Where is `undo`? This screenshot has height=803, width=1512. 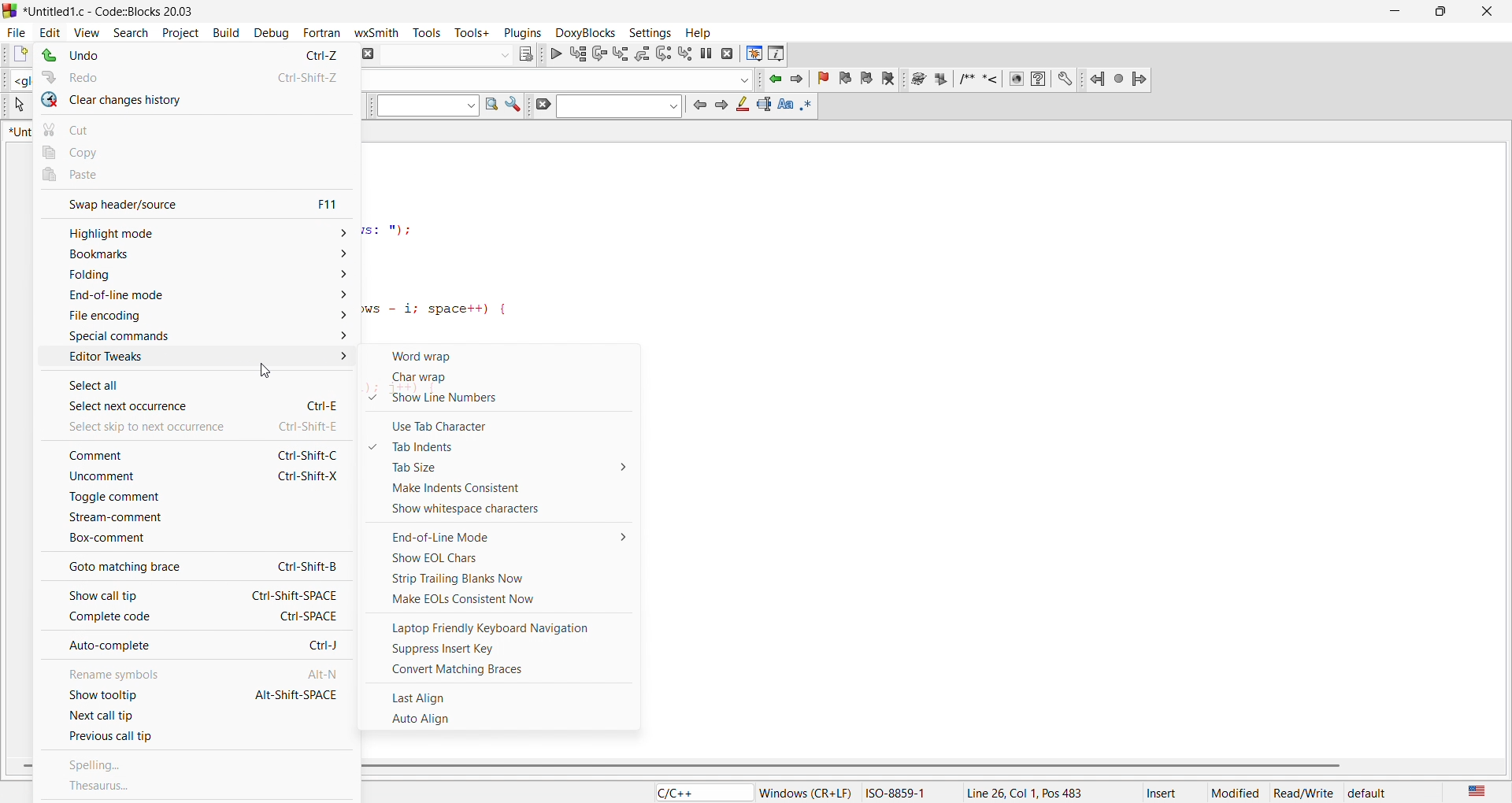 undo is located at coordinates (127, 56).